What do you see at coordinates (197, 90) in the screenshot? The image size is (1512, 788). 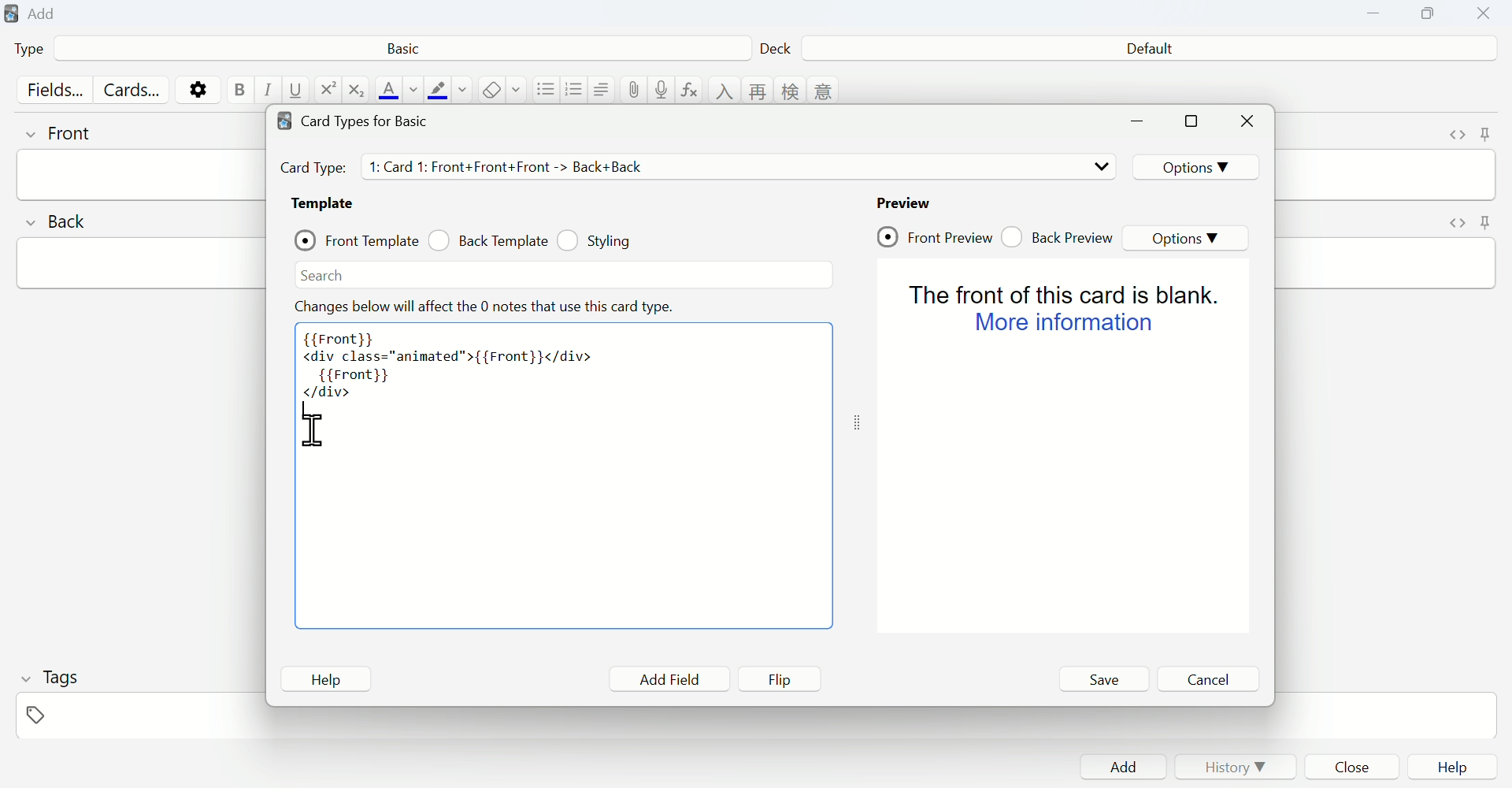 I see `options` at bounding box center [197, 90].